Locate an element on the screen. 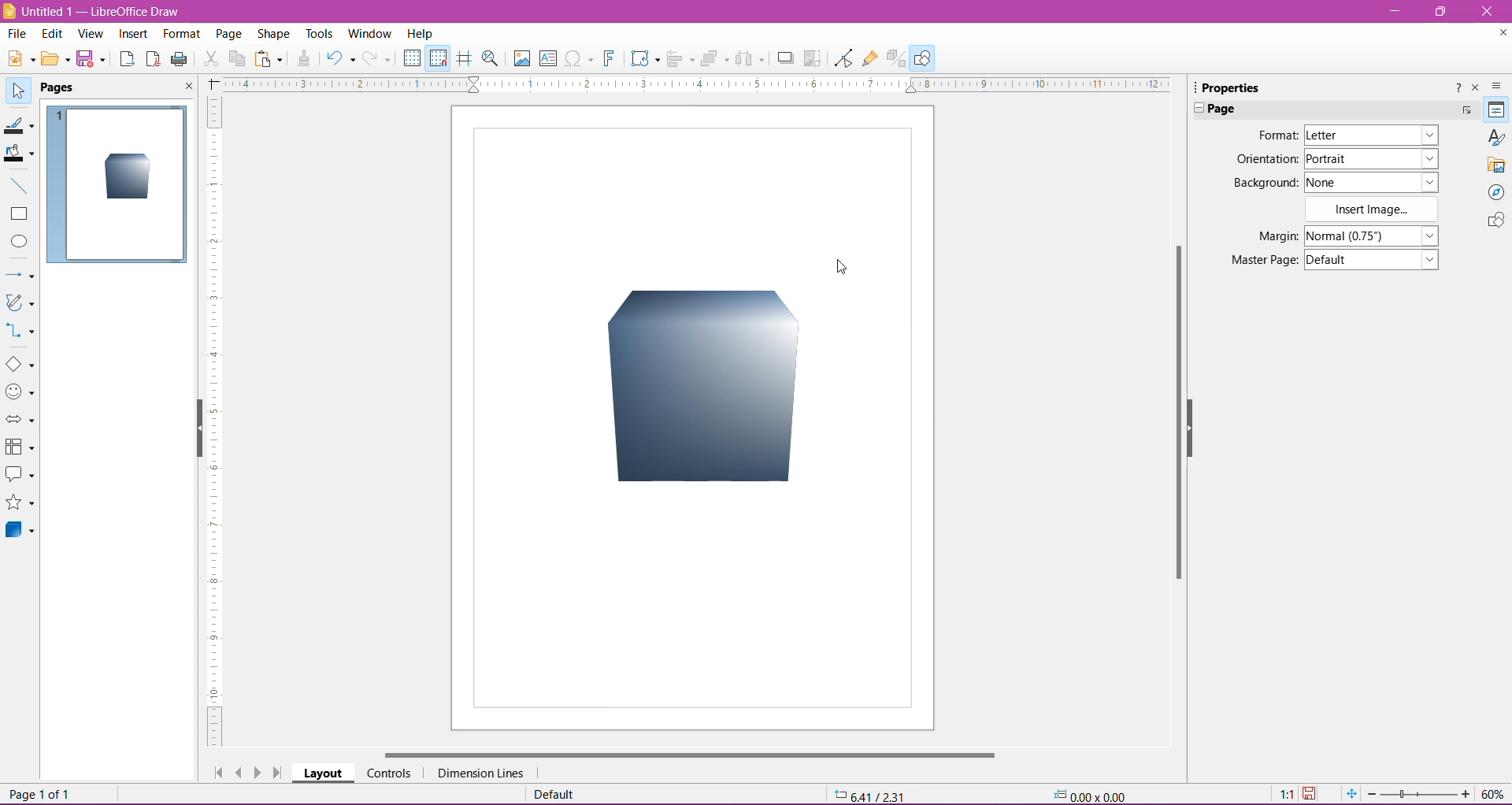  Insert is located at coordinates (134, 35).